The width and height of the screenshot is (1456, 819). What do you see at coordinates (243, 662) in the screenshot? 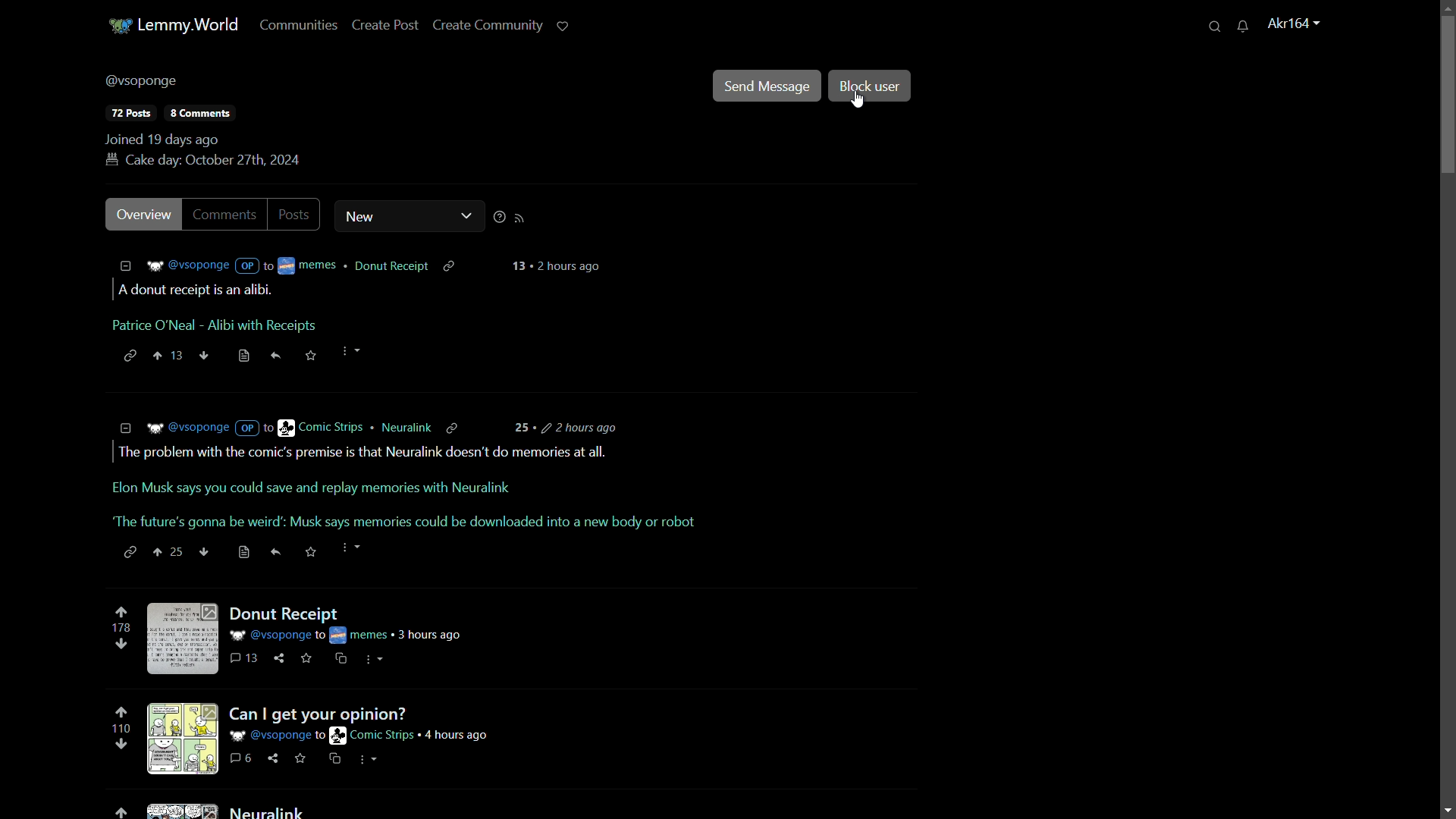
I see `comments` at bounding box center [243, 662].